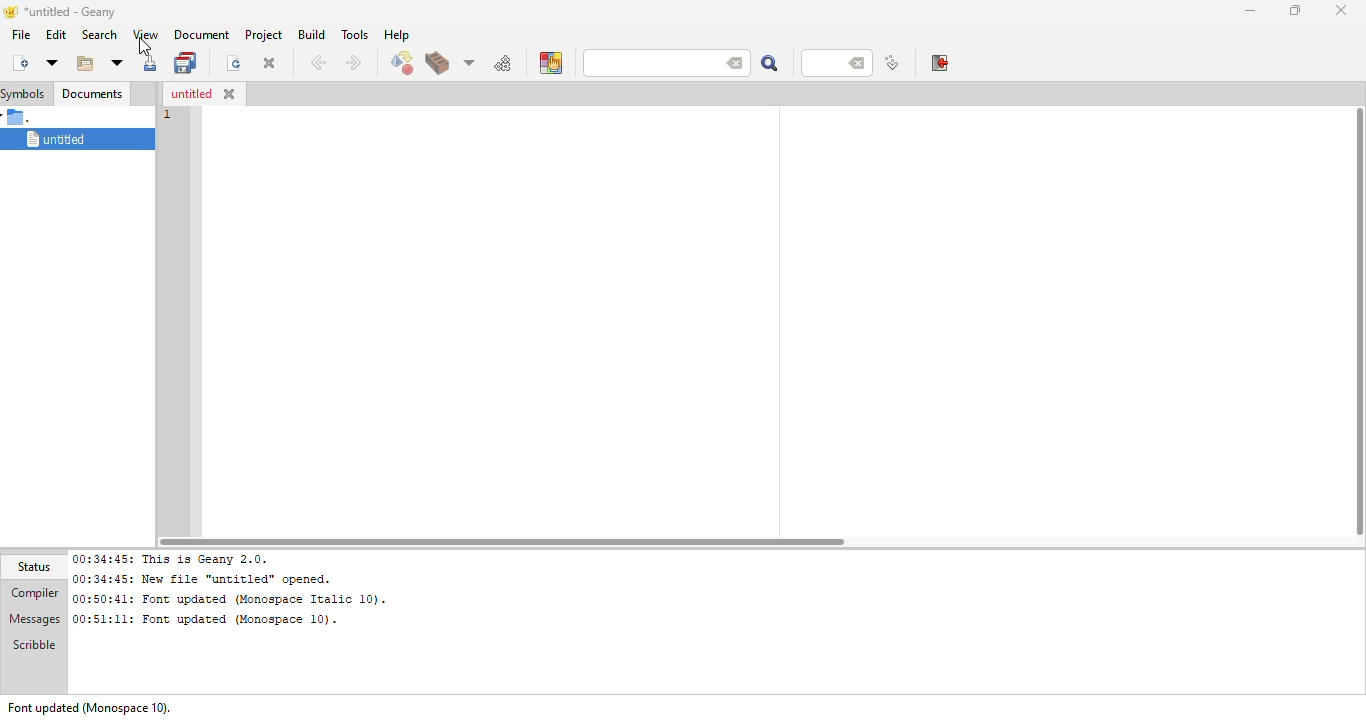  Describe the element at coordinates (34, 620) in the screenshot. I see `messages` at that location.